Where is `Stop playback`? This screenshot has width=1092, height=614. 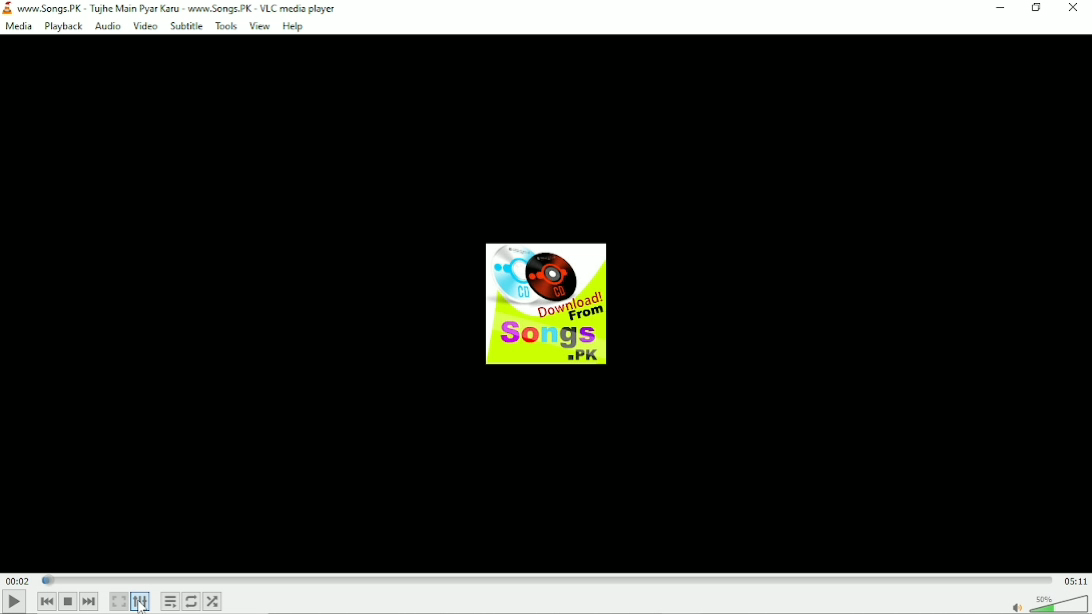
Stop playback is located at coordinates (68, 602).